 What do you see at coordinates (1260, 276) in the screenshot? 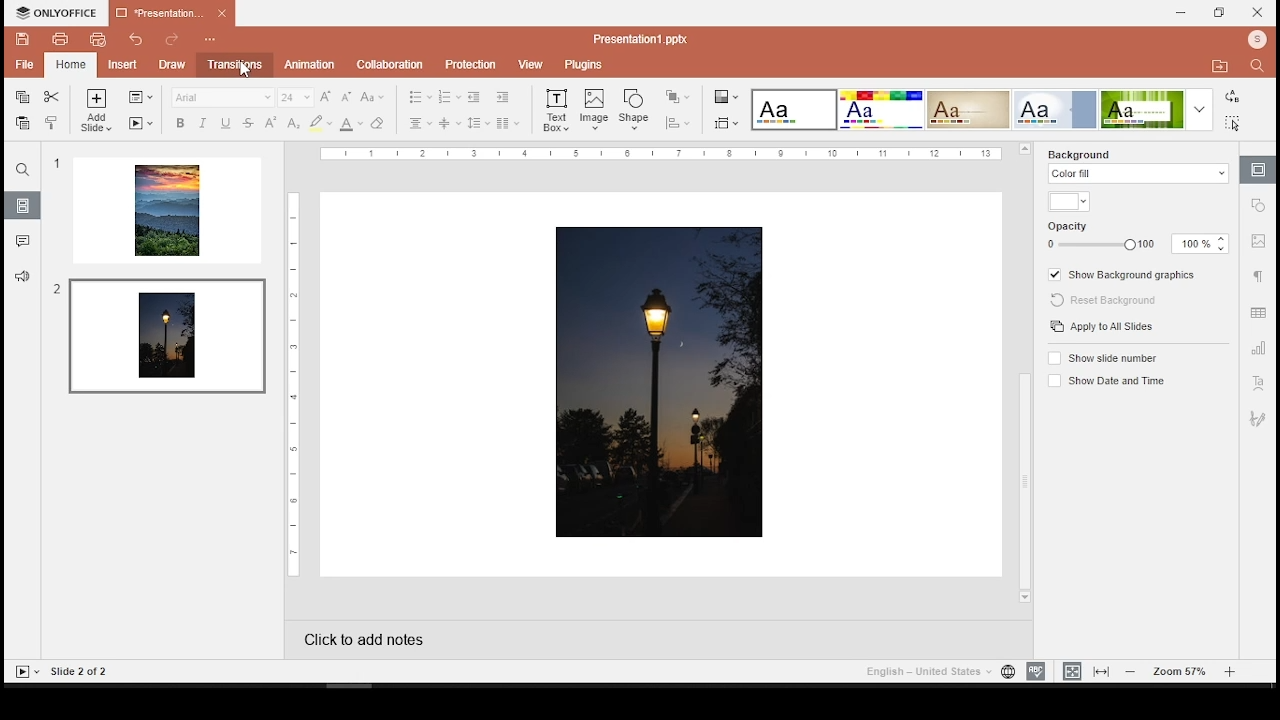
I see `paragraph settings` at bounding box center [1260, 276].